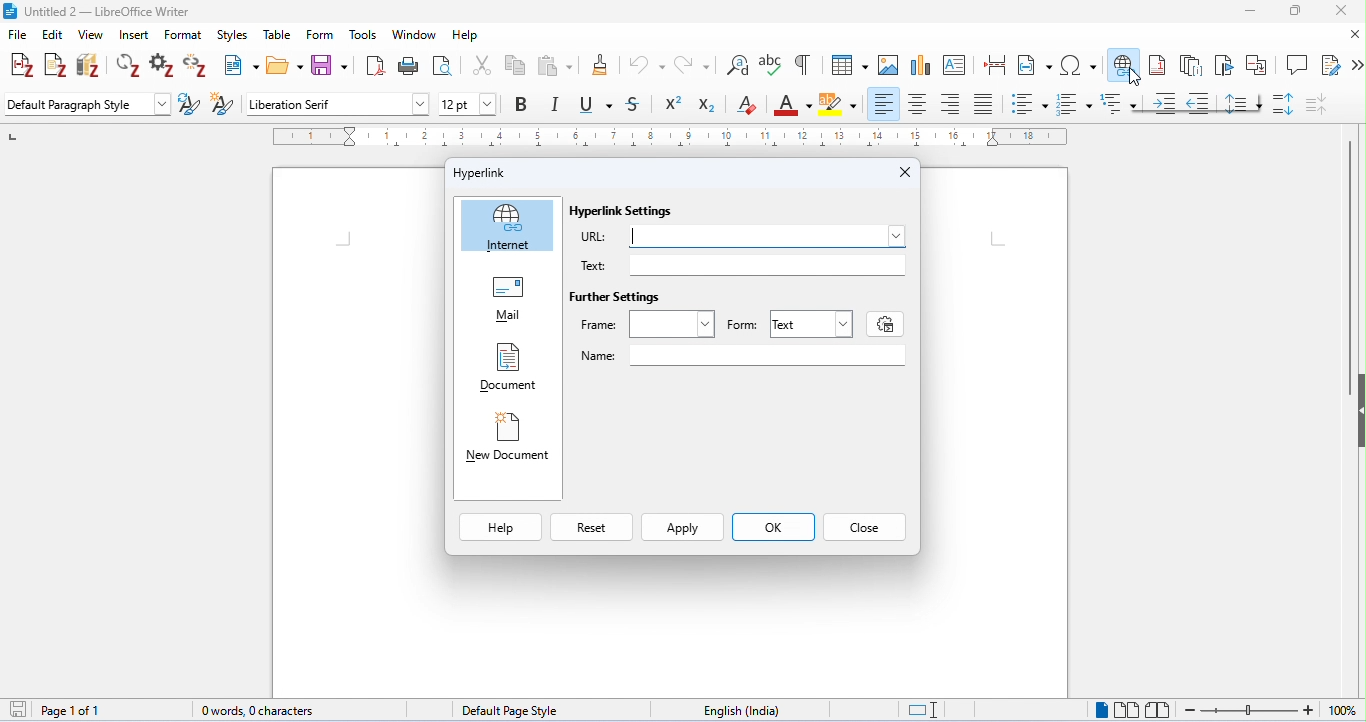 Image resolution: width=1366 pixels, height=722 pixels. I want to click on numbered style, so click(1076, 105).